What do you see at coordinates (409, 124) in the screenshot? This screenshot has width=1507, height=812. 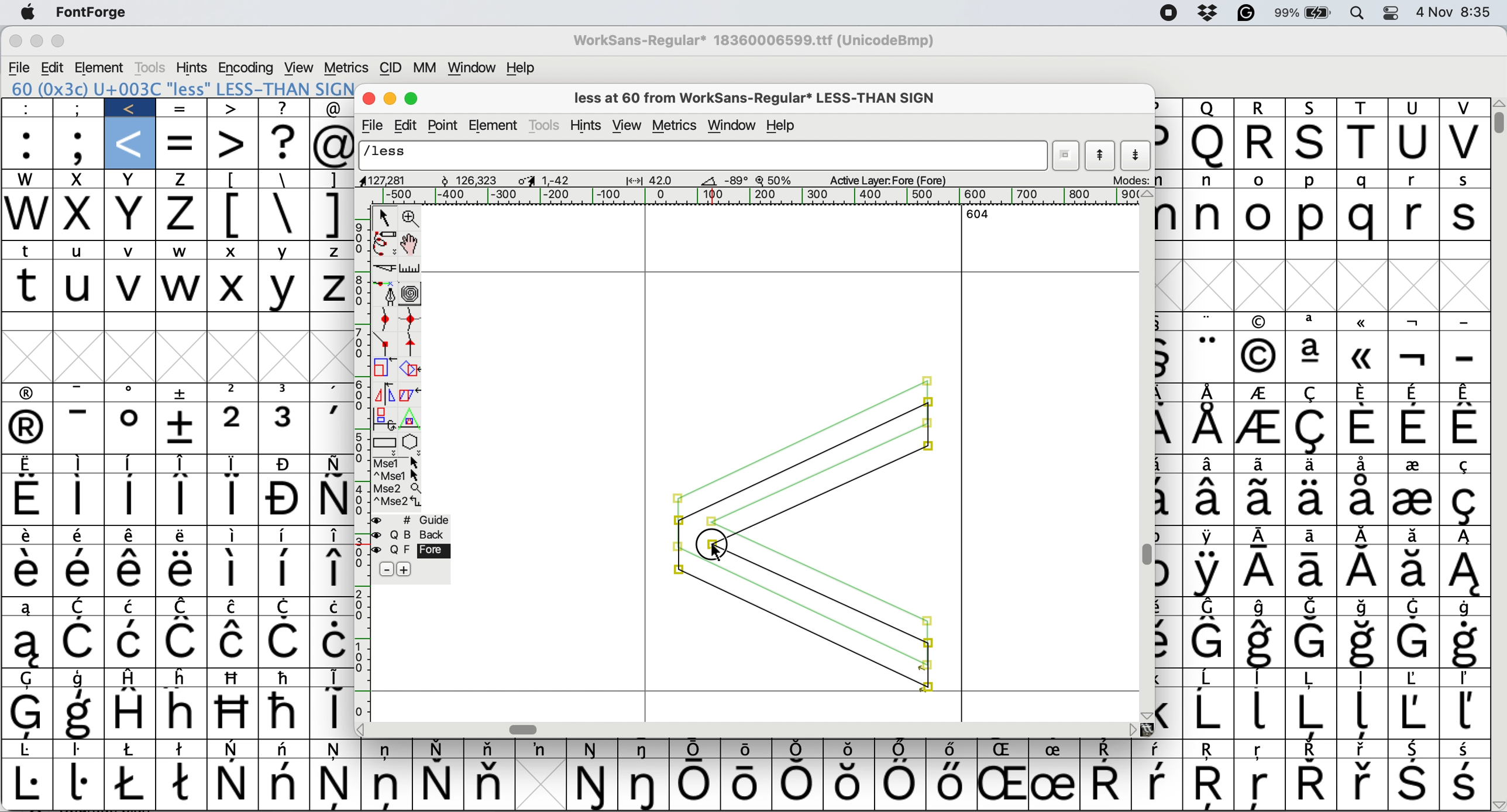 I see `edit` at bounding box center [409, 124].